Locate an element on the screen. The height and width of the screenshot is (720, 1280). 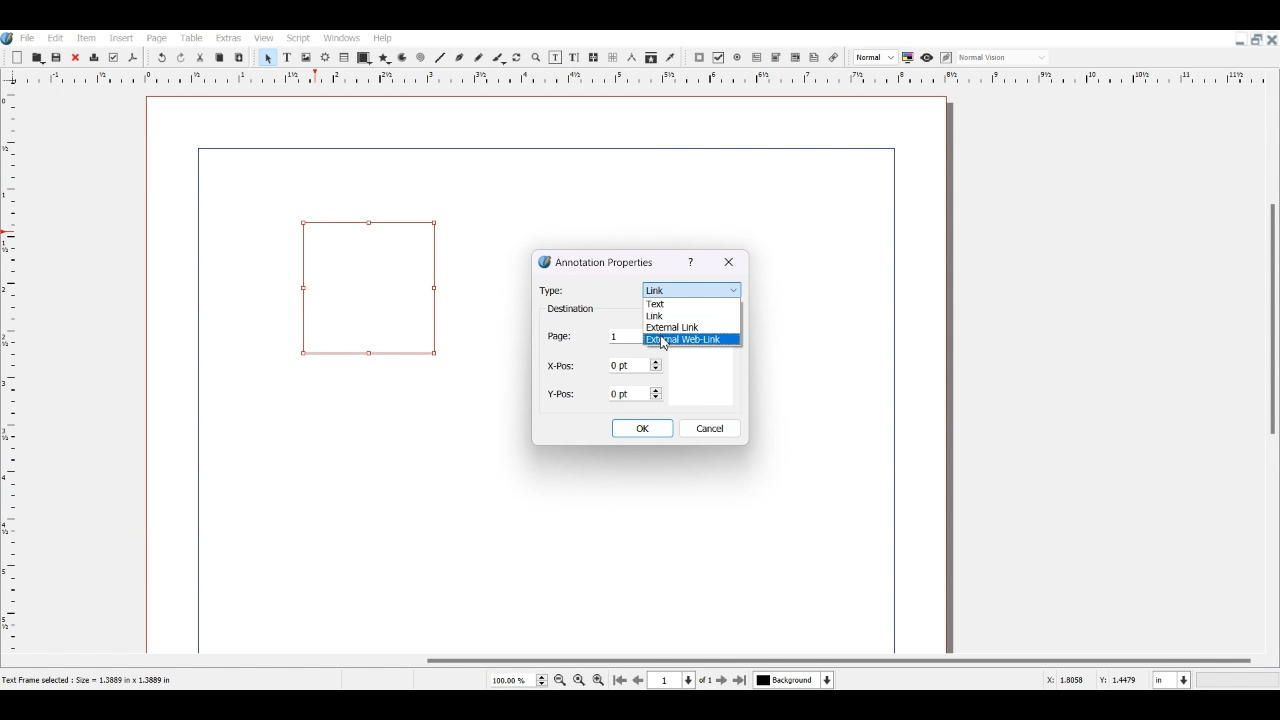
Measurement in Inche is located at coordinates (1172, 680).